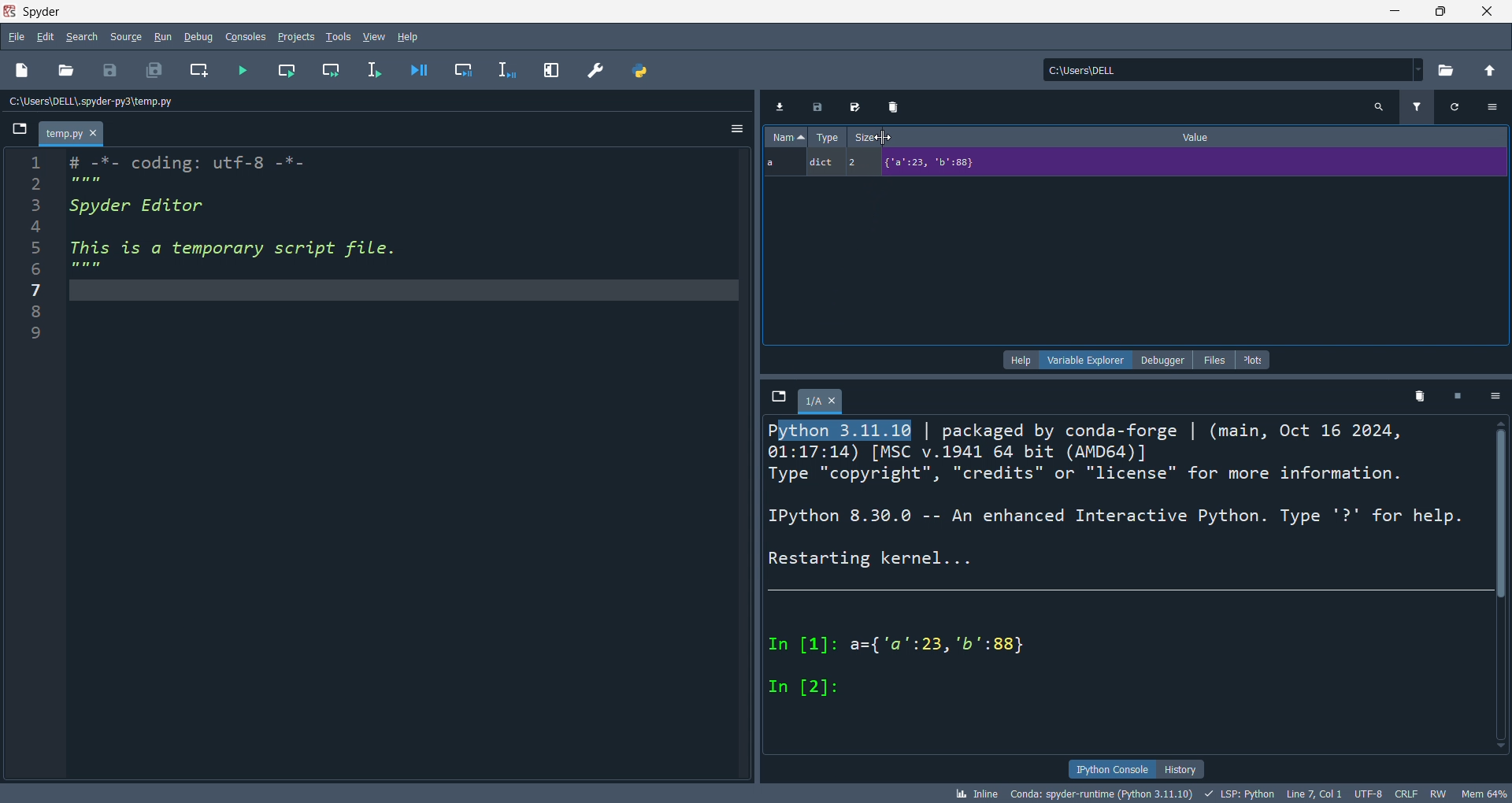 This screenshot has width=1512, height=803. What do you see at coordinates (236, 70) in the screenshot?
I see `runfile` at bounding box center [236, 70].